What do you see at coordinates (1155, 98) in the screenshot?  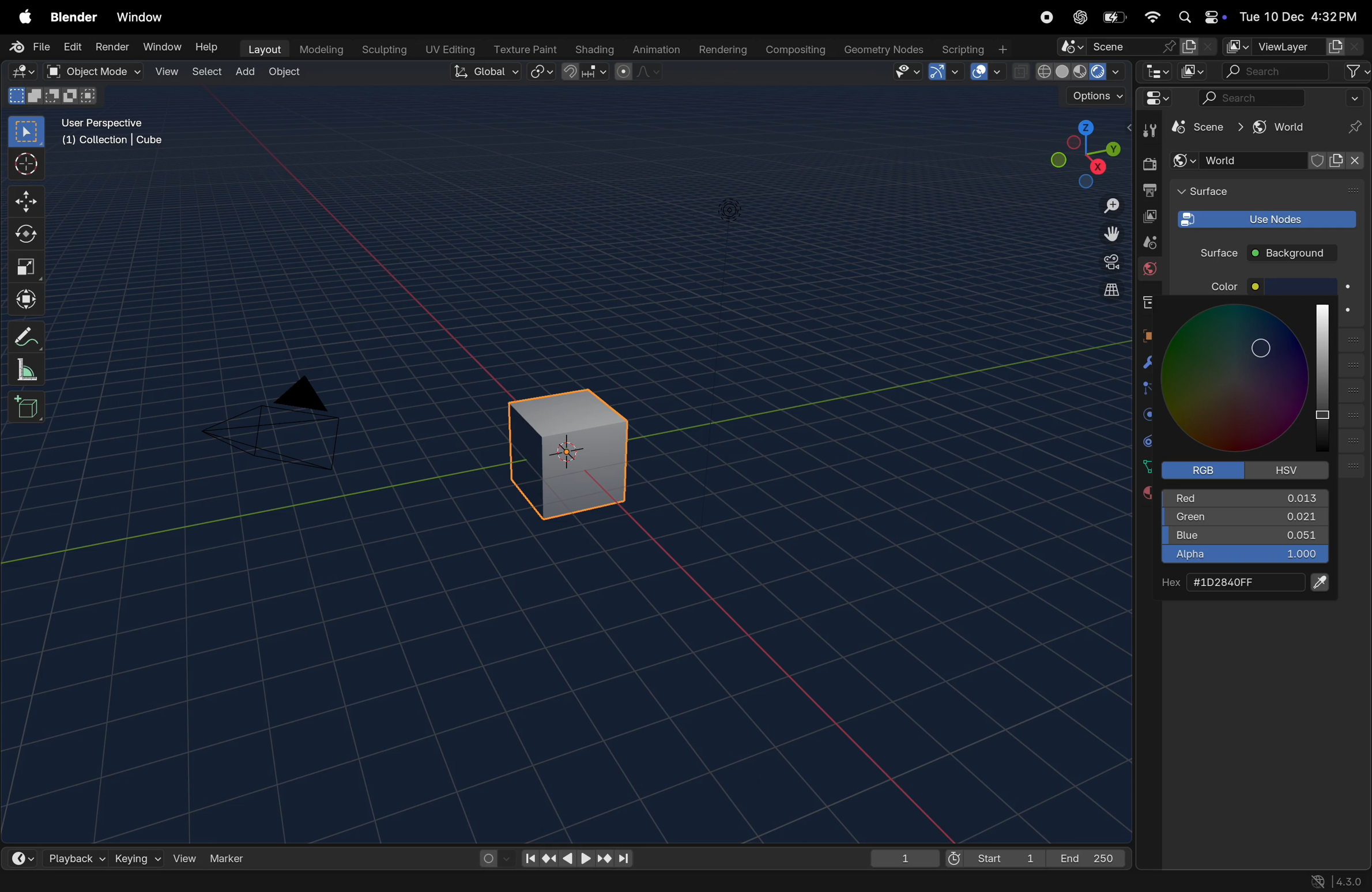 I see `Editor mode` at bounding box center [1155, 98].